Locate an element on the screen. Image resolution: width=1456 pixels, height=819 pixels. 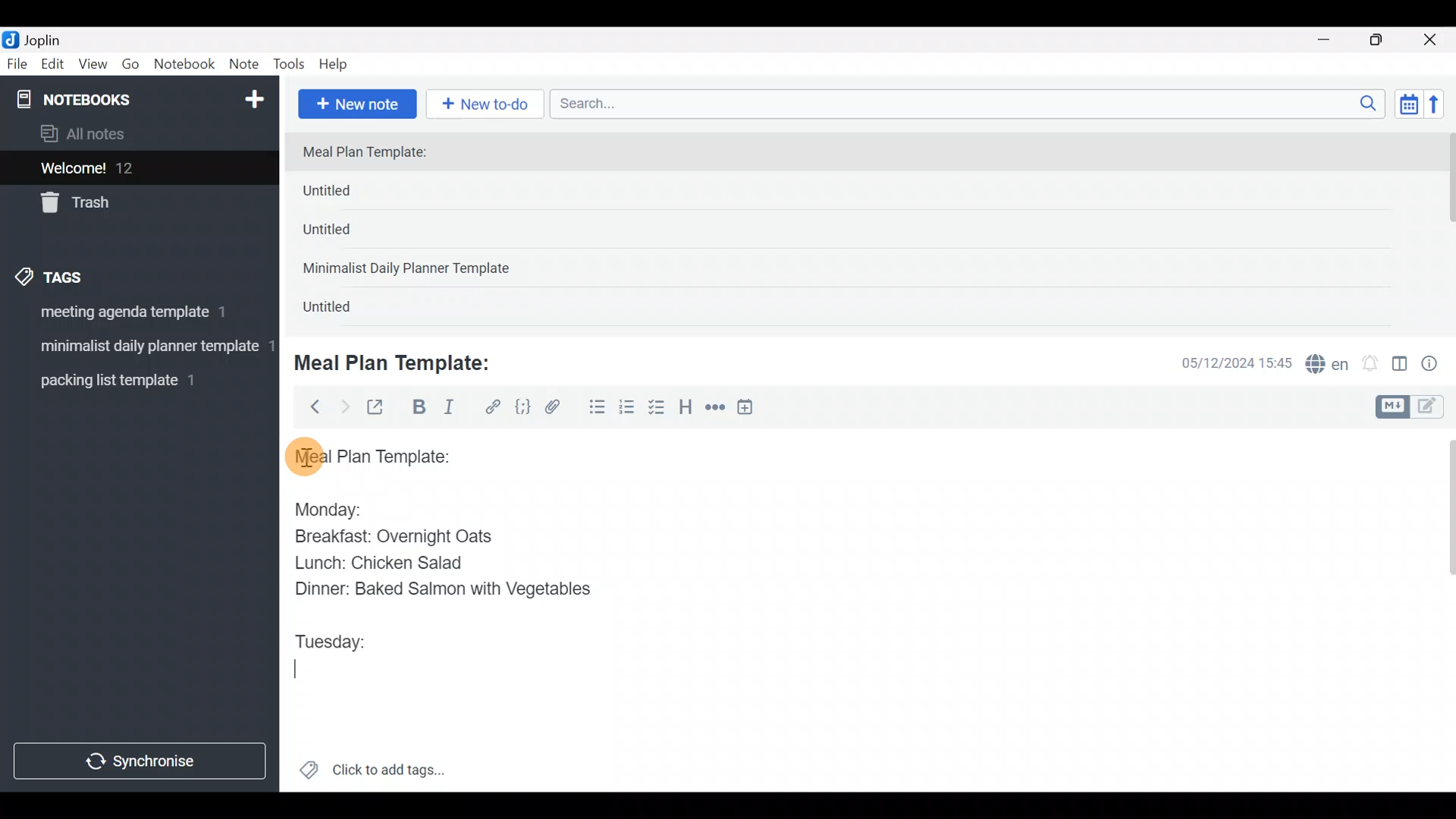
Italic is located at coordinates (447, 410).